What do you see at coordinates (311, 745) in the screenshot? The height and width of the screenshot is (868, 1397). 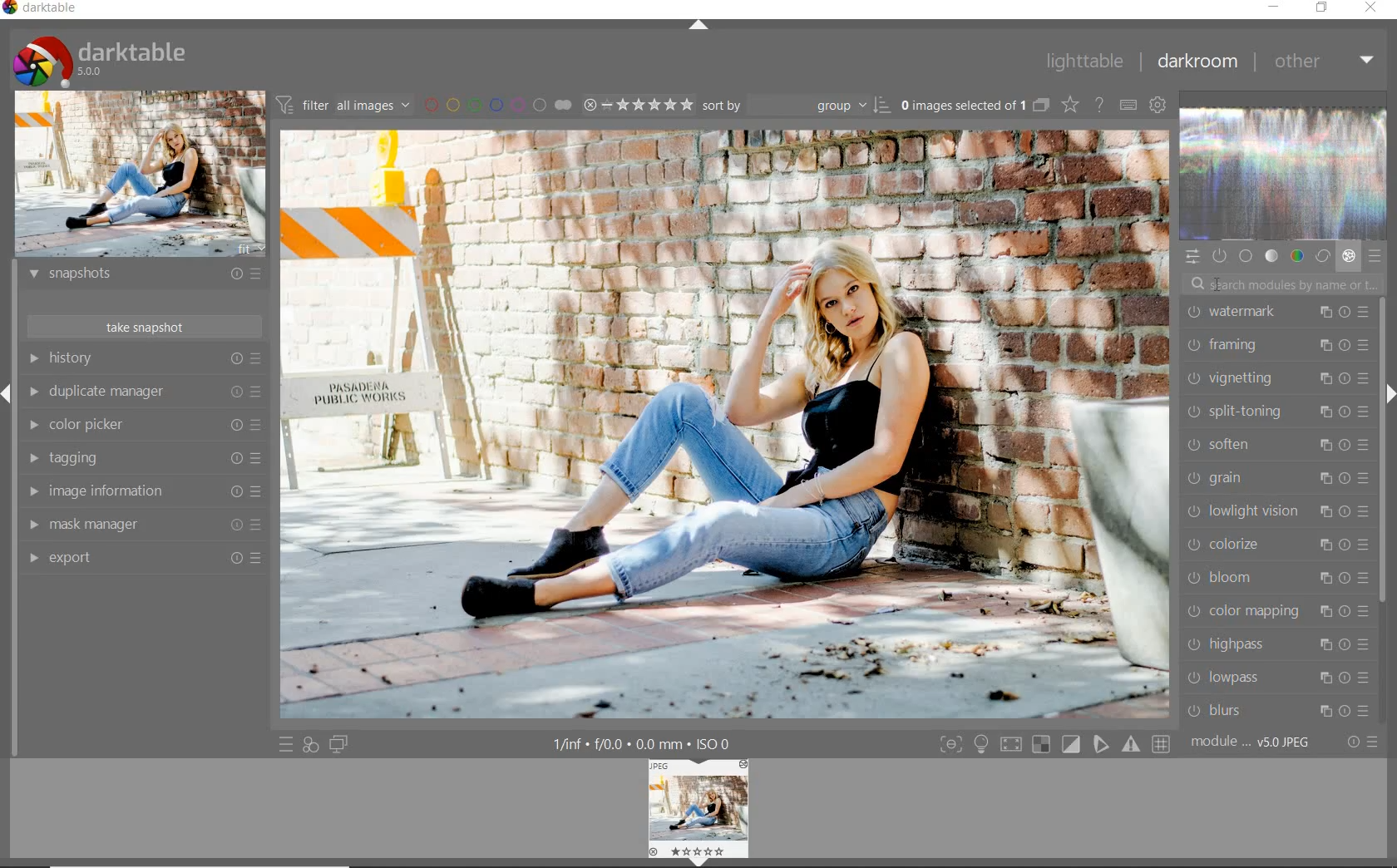 I see `quick access for applying any of your styles` at bounding box center [311, 745].